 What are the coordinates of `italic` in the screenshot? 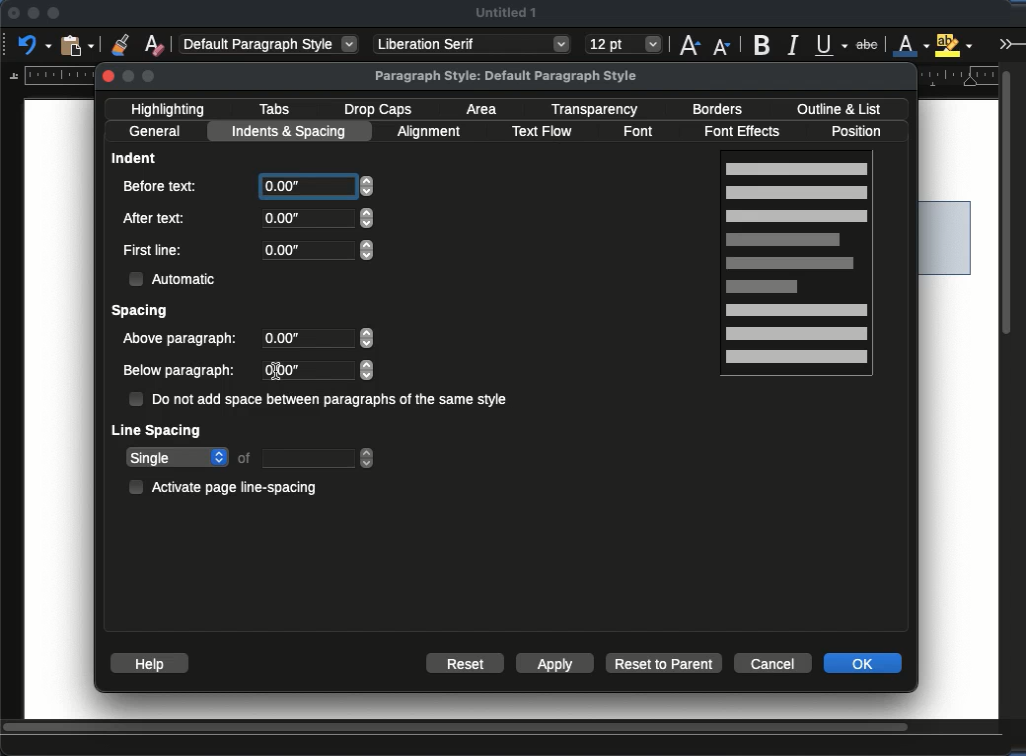 It's located at (792, 46).